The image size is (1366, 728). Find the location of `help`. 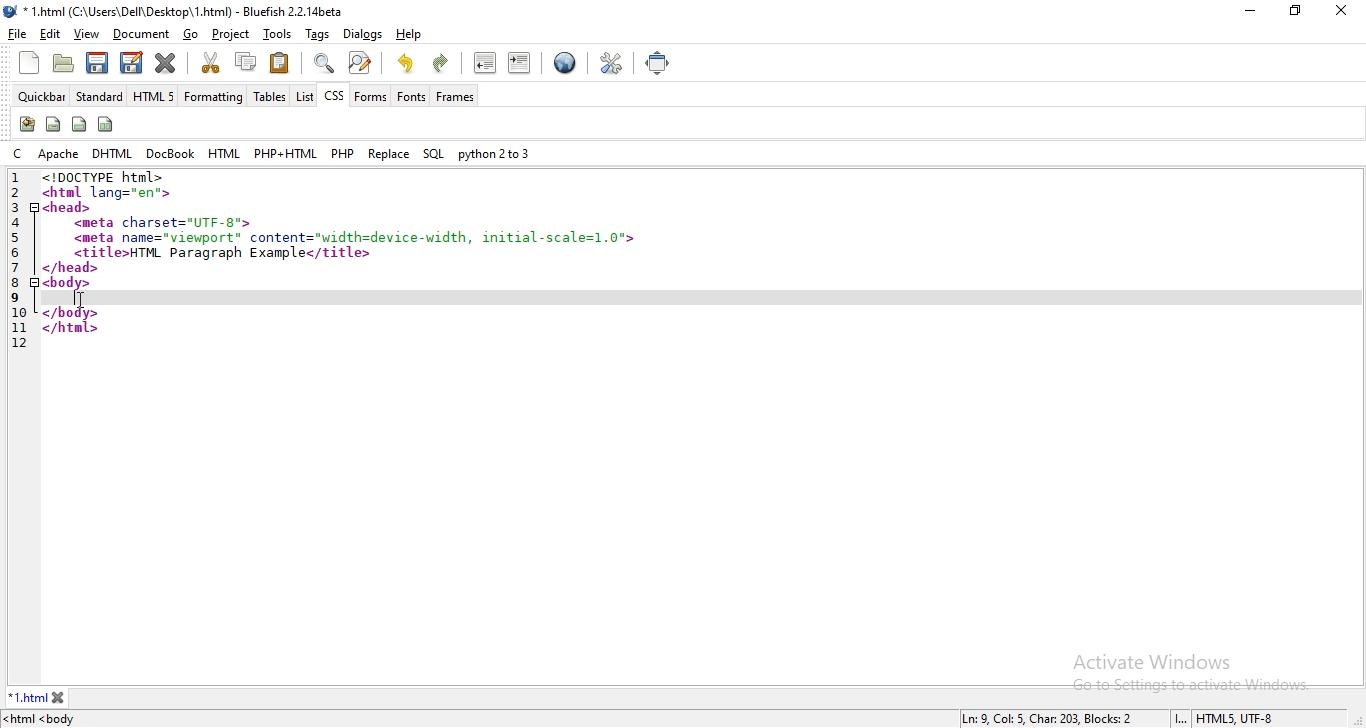

help is located at coordinates (408, 34).